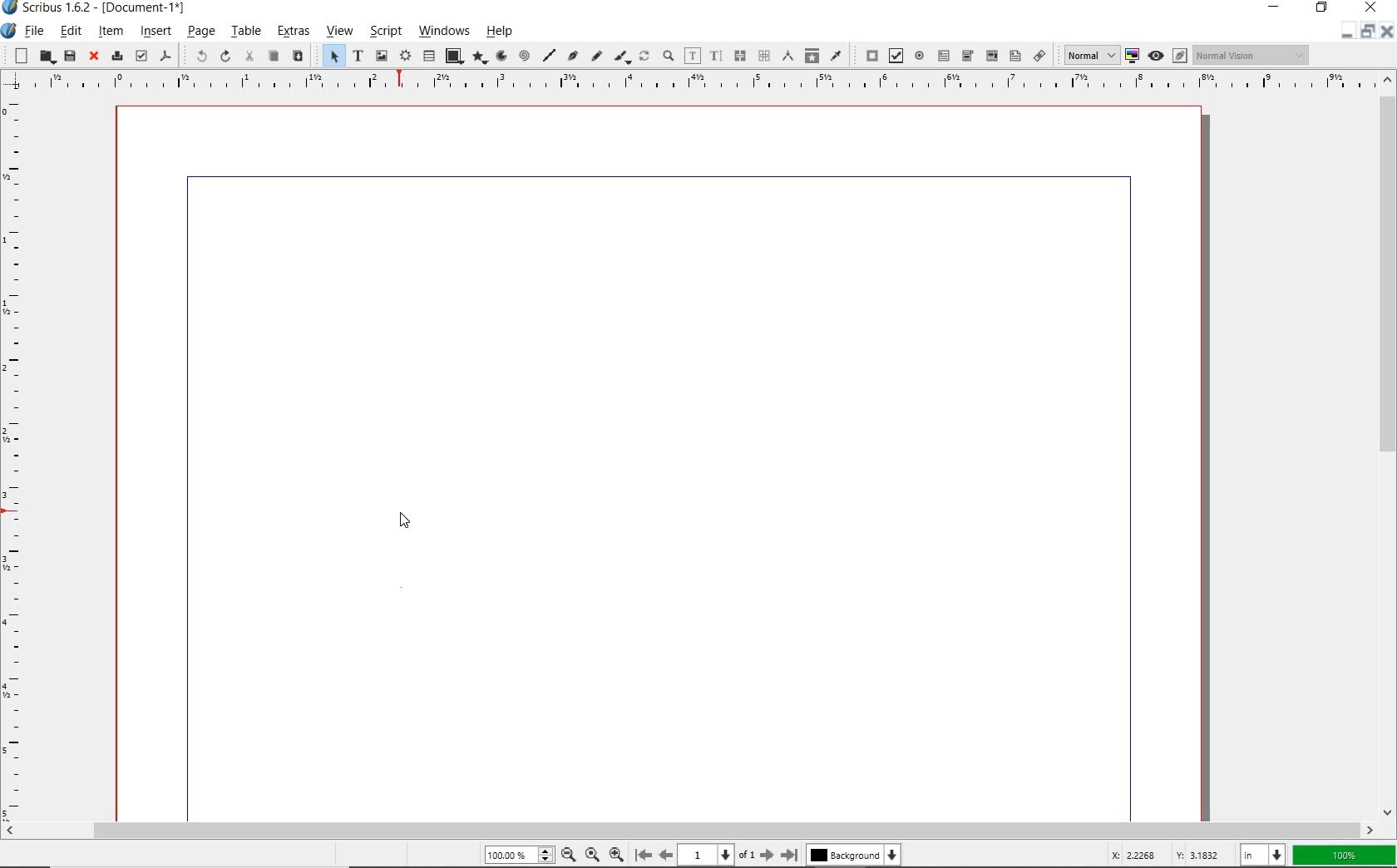  Describe the element at coordinates (200, 32) in the screenshot. I see `page` at that location.